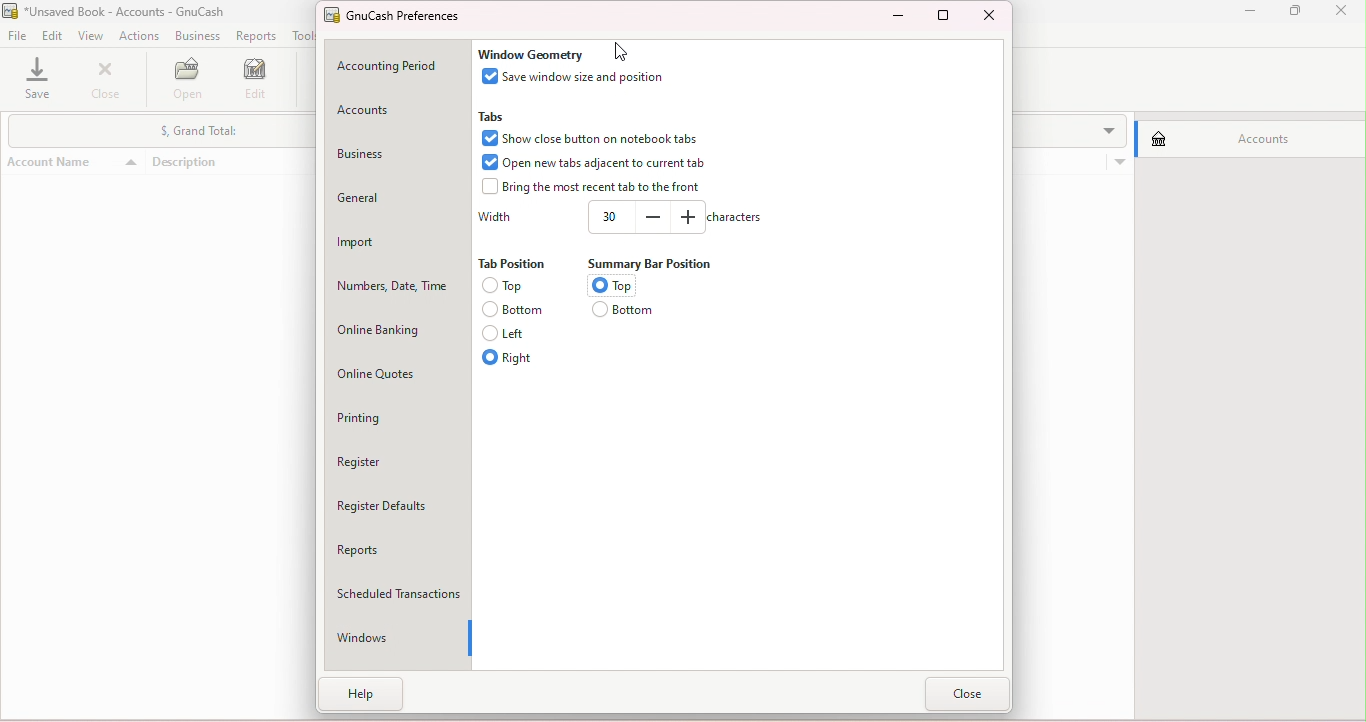 The height and width of the screenshot is (722, 1366). Describe the element at coordinates (1118, 122) in the screenshot. I see `More options` at that location.